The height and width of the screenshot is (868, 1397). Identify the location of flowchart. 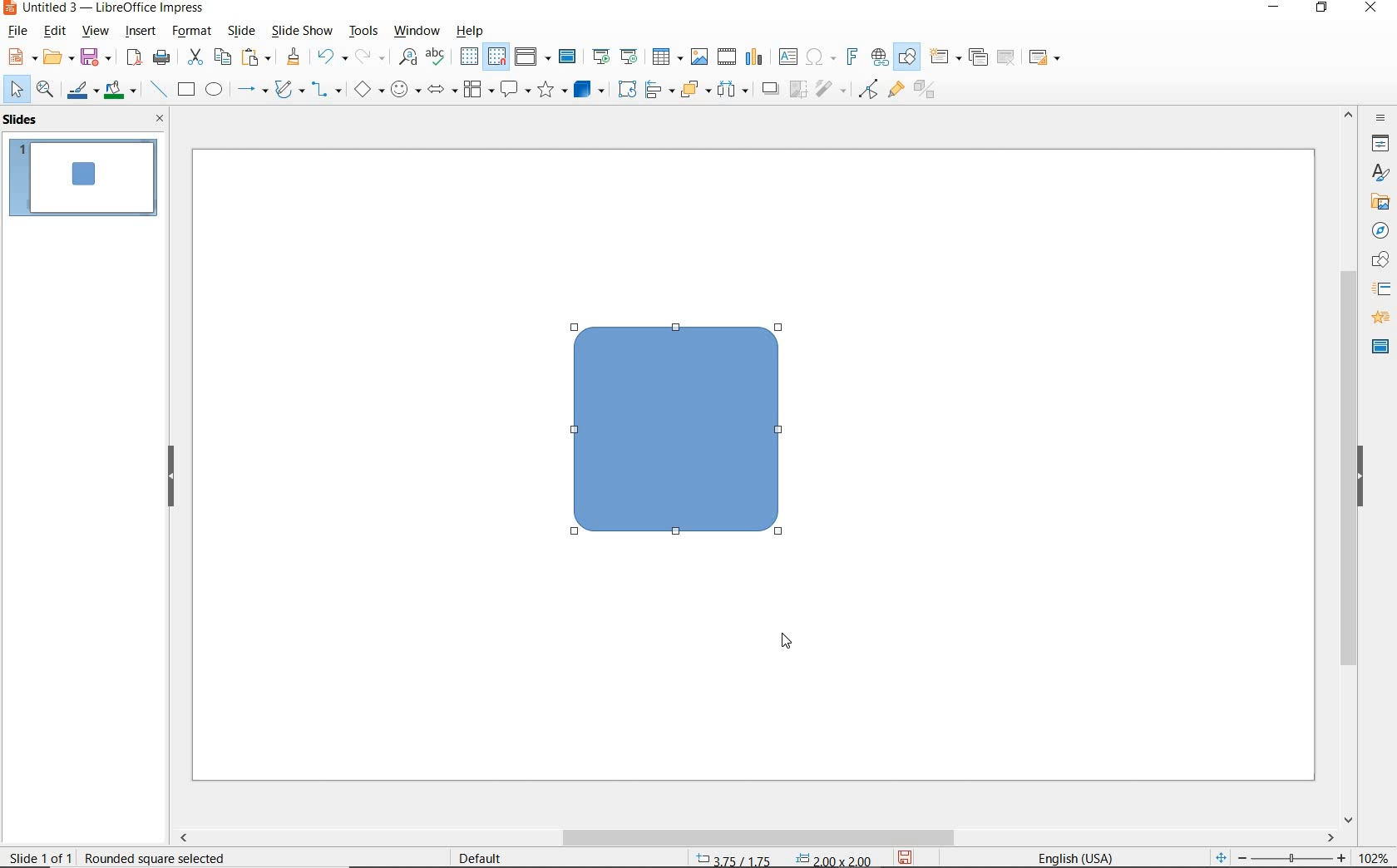
(480, 90).